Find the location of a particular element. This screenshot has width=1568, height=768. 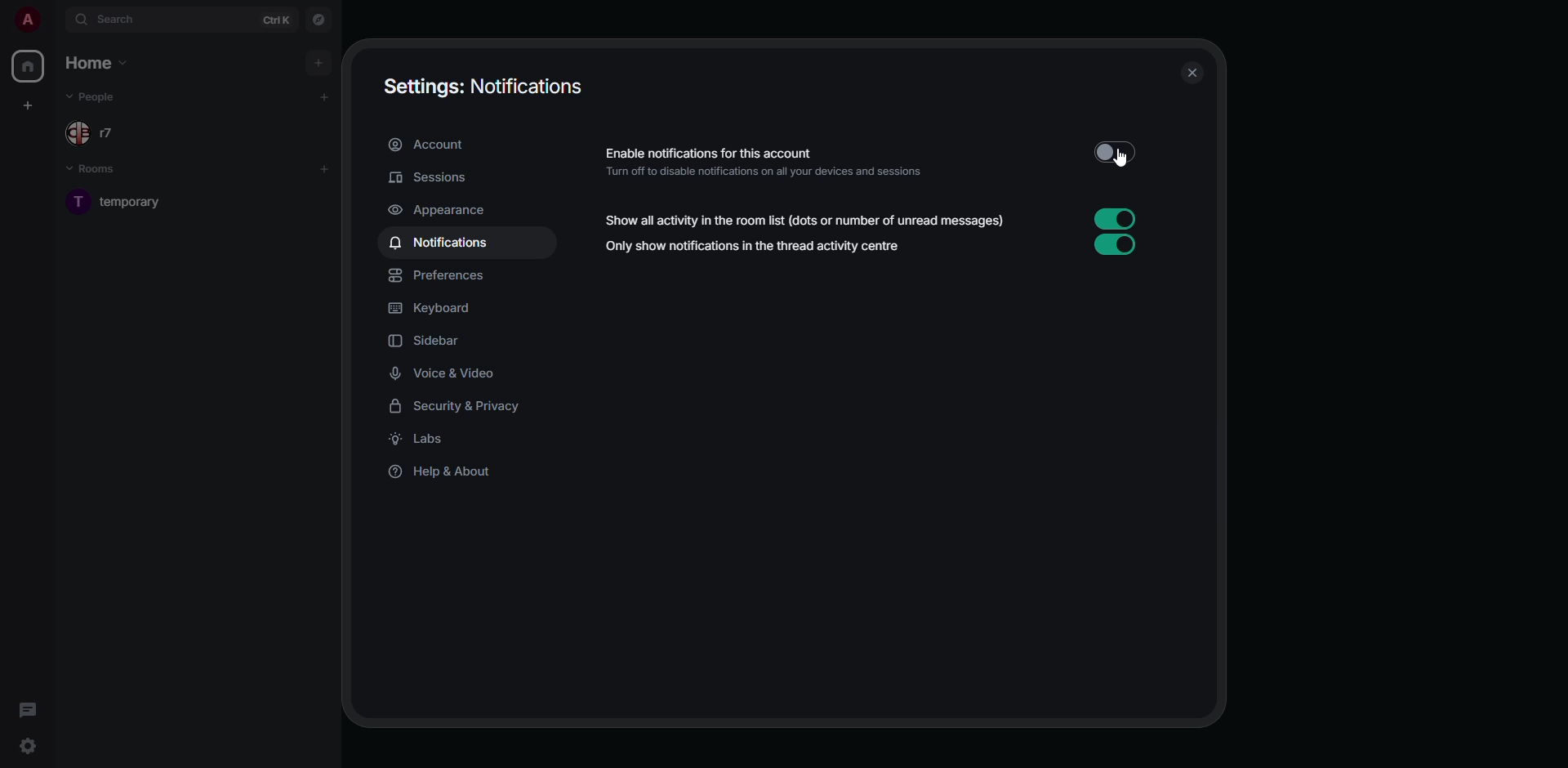

help & about is located at coordinates (443, 475).